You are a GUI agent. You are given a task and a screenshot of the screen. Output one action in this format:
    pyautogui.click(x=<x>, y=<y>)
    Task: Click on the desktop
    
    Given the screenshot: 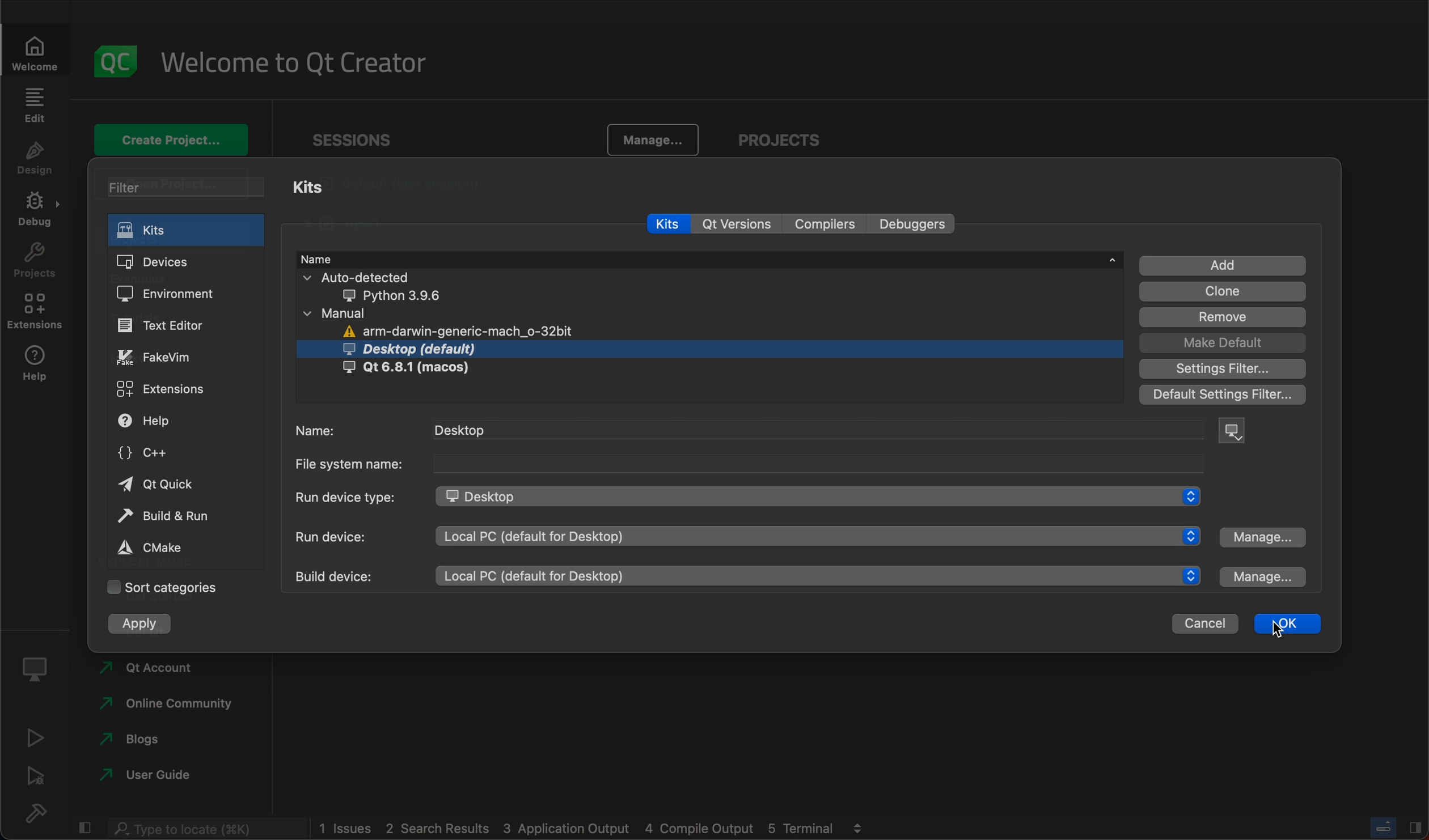 What is the action you would take?
    pyautogui.click(x=818, y=499)
    